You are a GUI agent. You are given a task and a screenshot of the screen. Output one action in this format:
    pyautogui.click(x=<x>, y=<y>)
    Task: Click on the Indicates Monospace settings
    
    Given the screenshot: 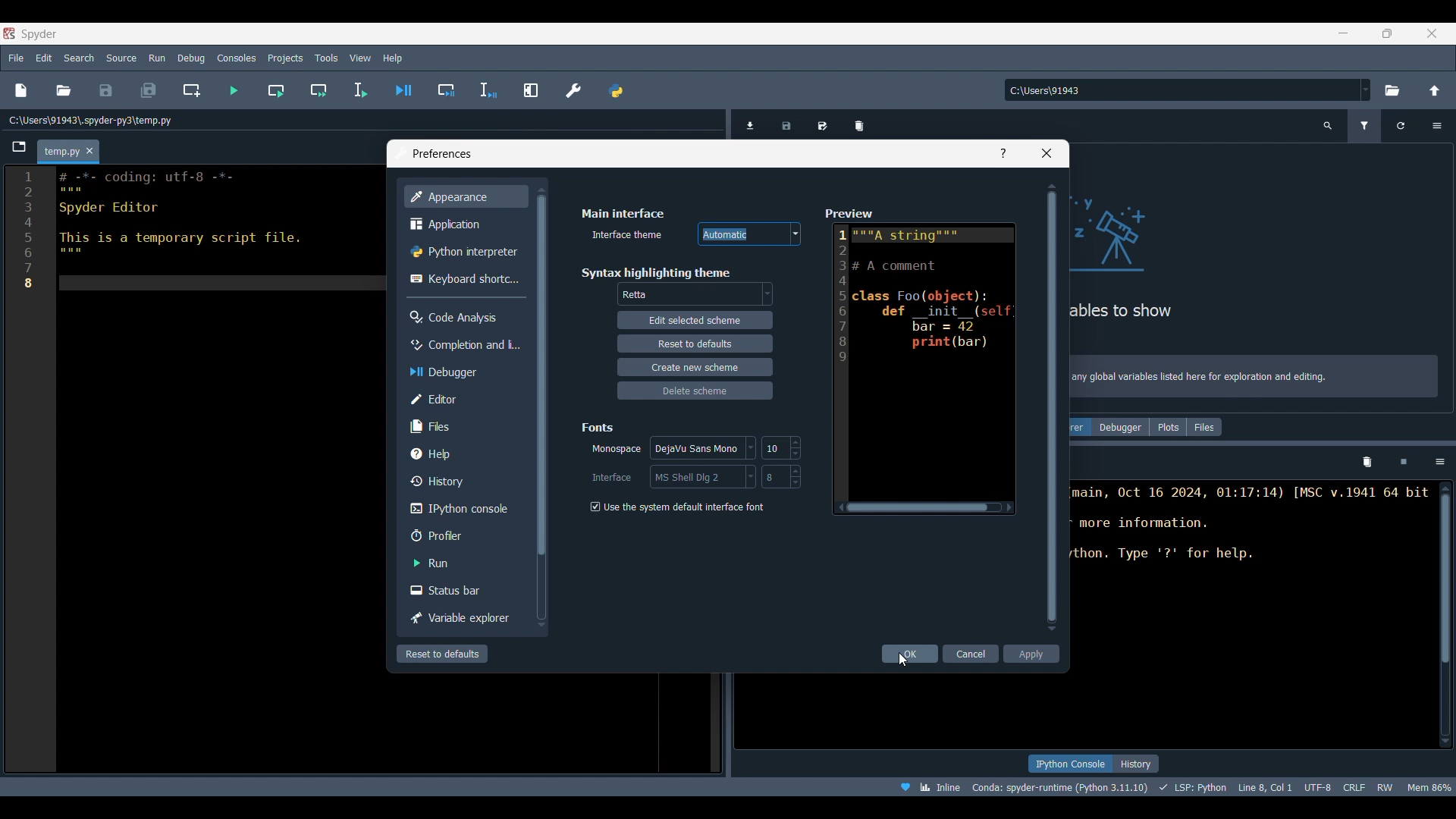 What is the action you would take?
    pyautogui.click(x=617, y=450)
    